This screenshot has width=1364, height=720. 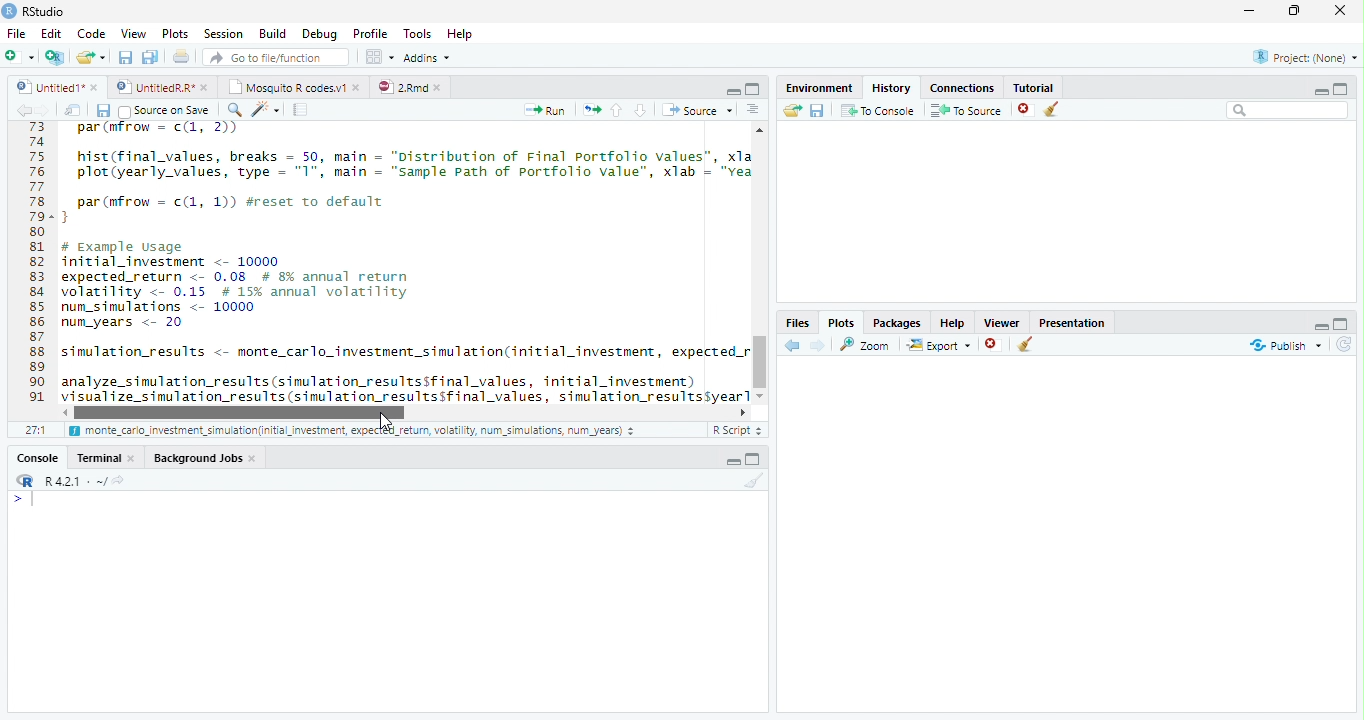 I want to click on Debug, so click(x=318, y=34).